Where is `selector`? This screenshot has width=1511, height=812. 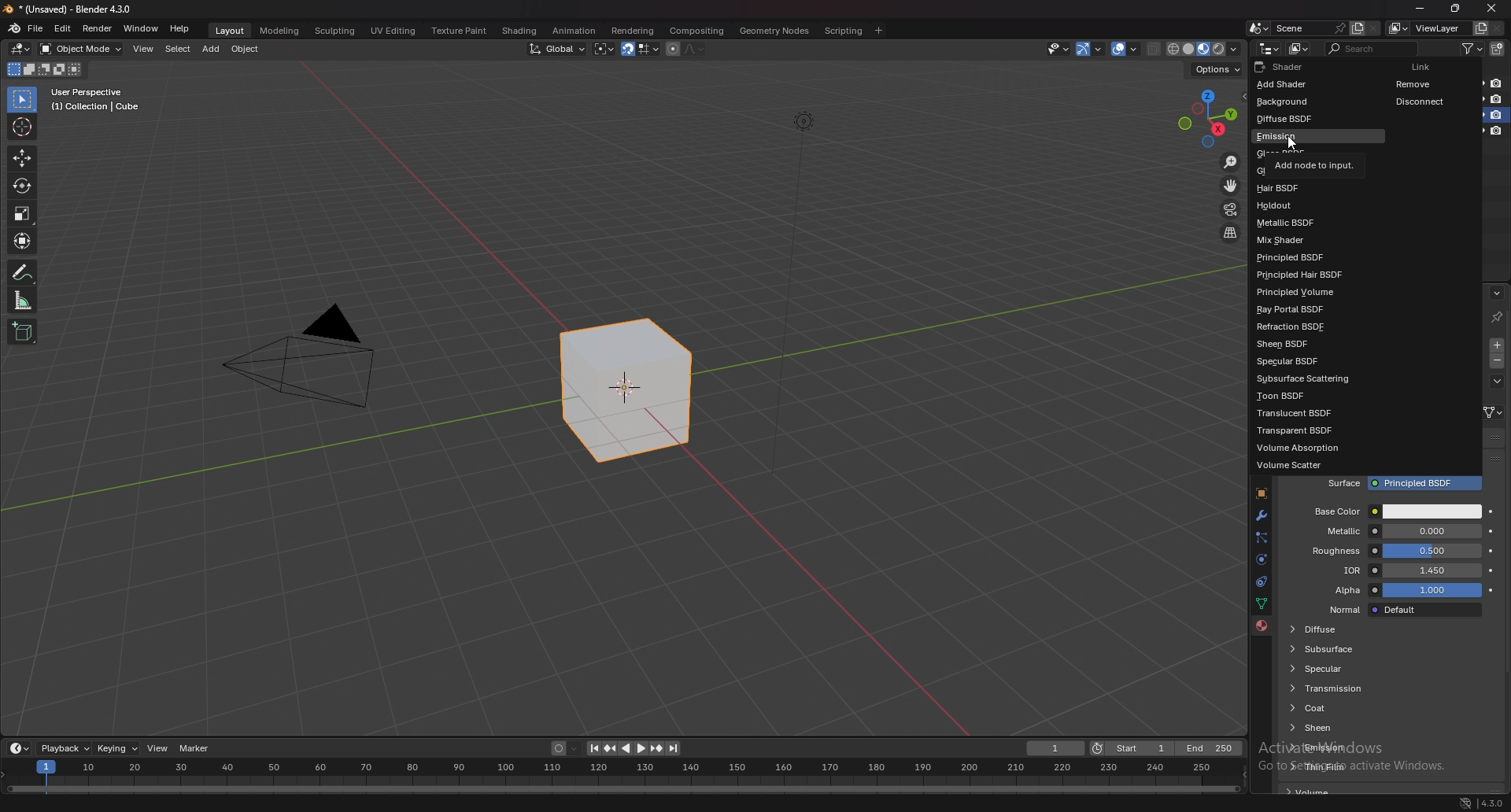
selector is located at coordinates (21, 100).